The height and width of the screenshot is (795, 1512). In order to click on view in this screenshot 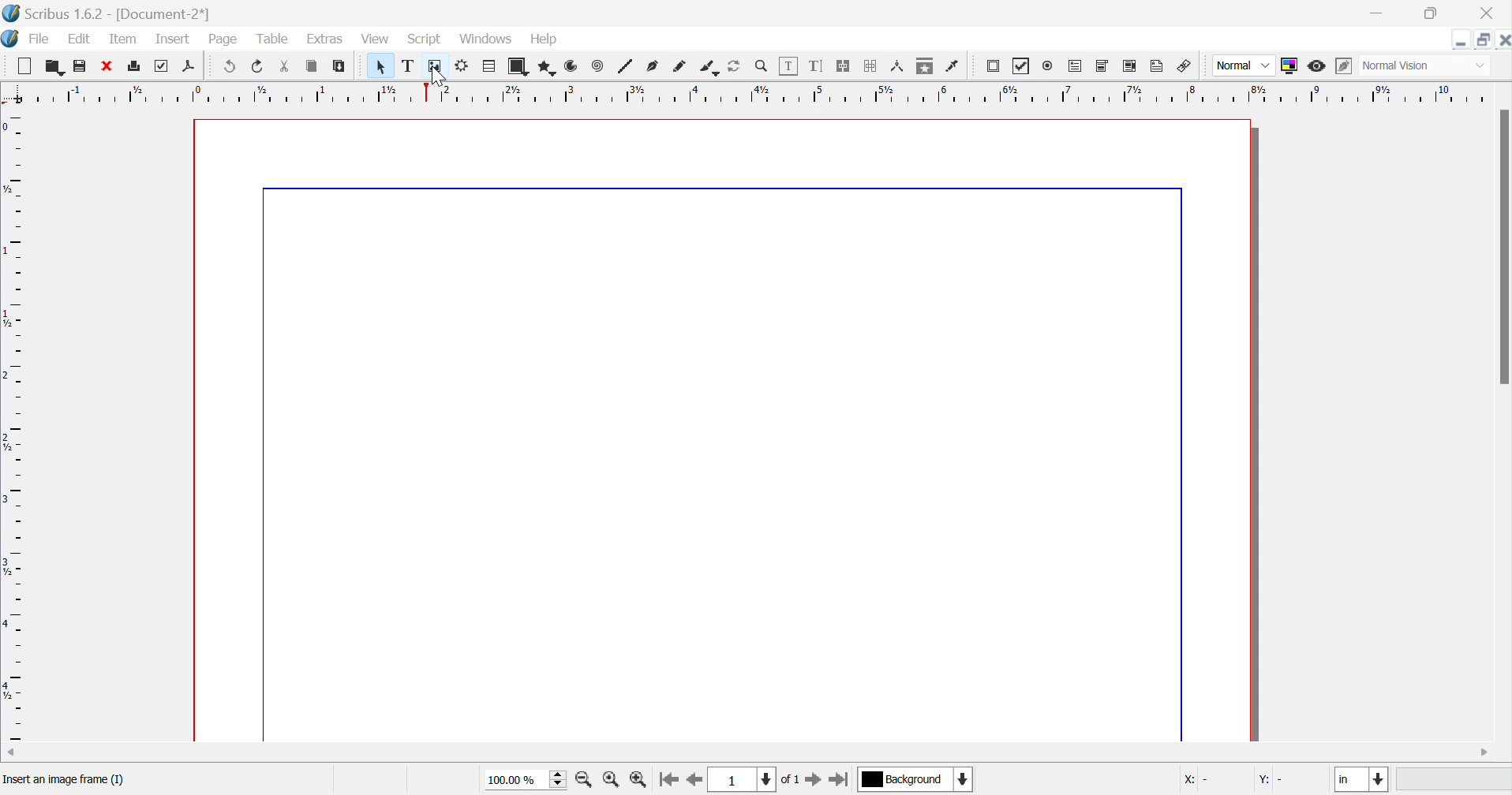, I will do `click(372, 38)`.